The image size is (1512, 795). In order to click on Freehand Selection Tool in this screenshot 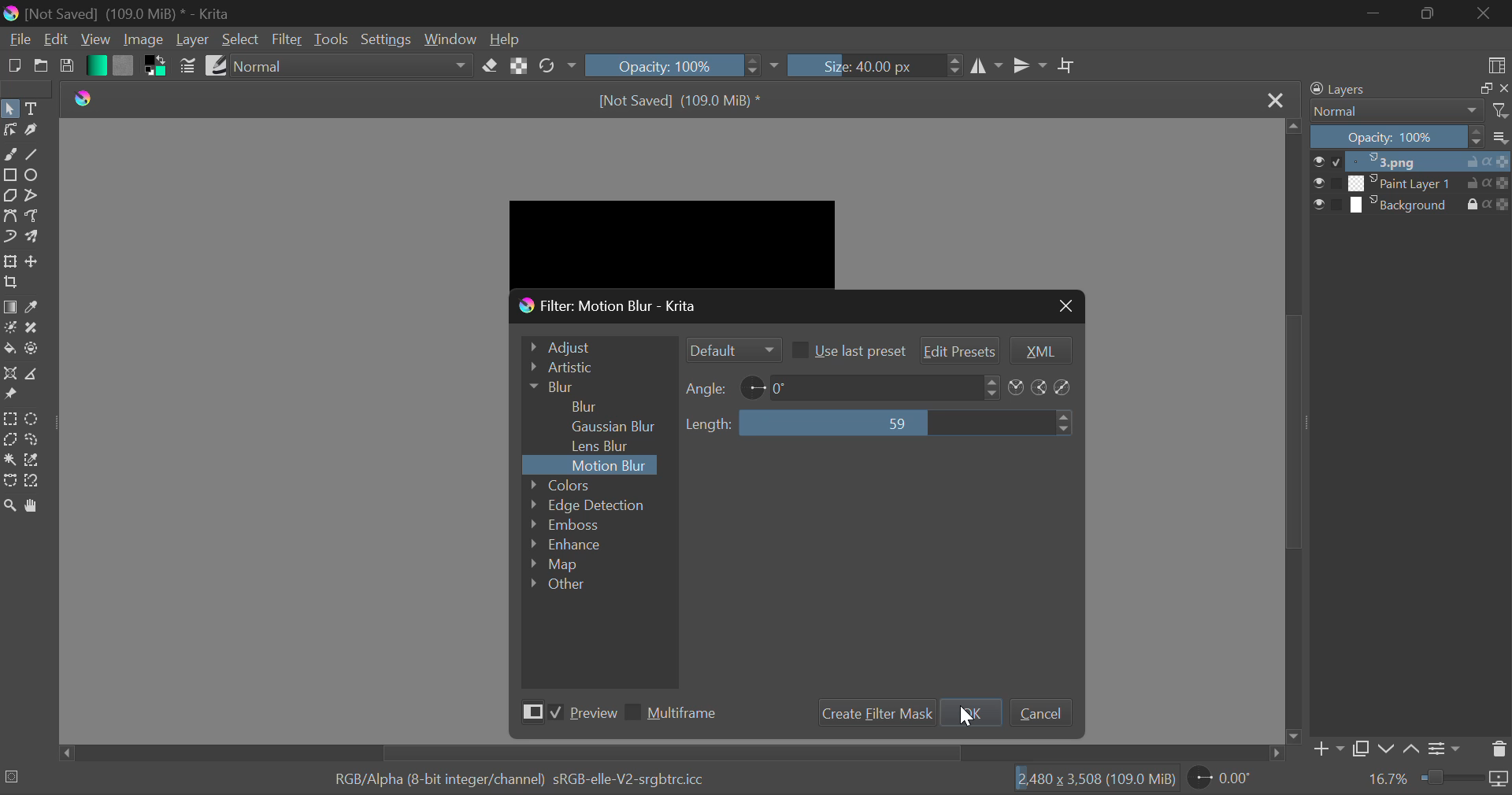, I will do `click(32, 441)`.